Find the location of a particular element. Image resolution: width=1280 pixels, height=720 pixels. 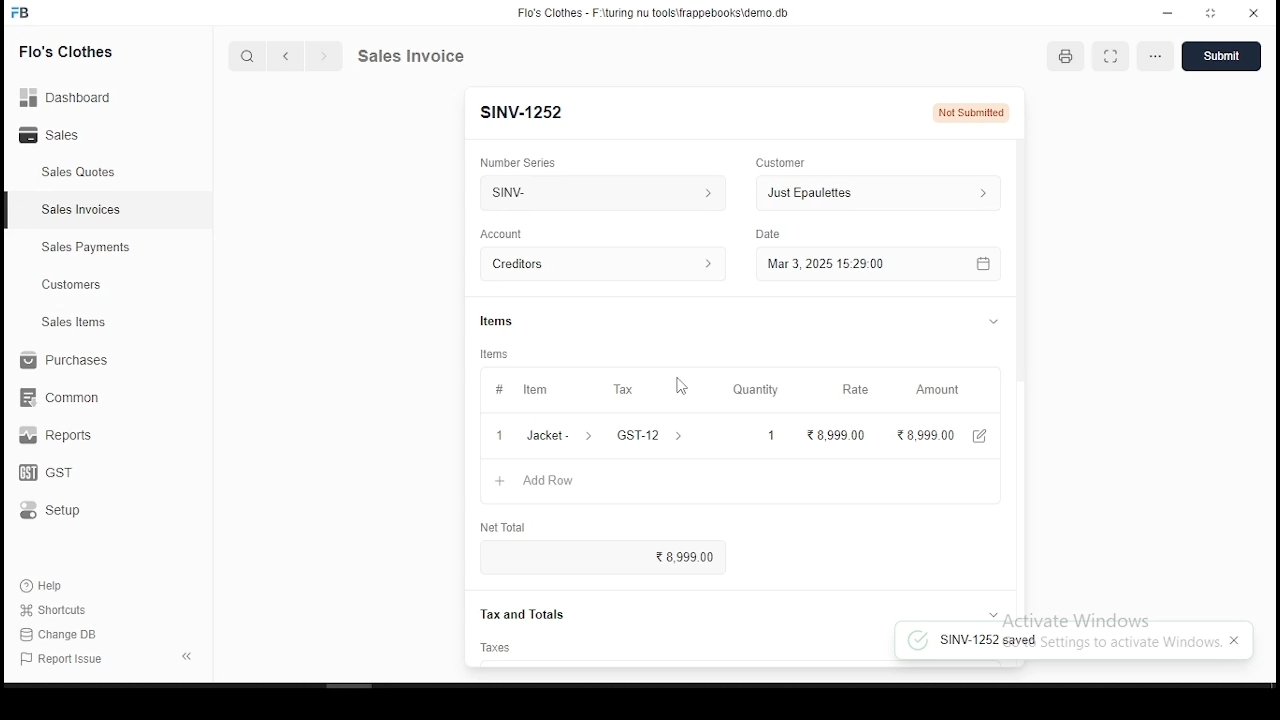

cursor is located at coordinates (683, 384).